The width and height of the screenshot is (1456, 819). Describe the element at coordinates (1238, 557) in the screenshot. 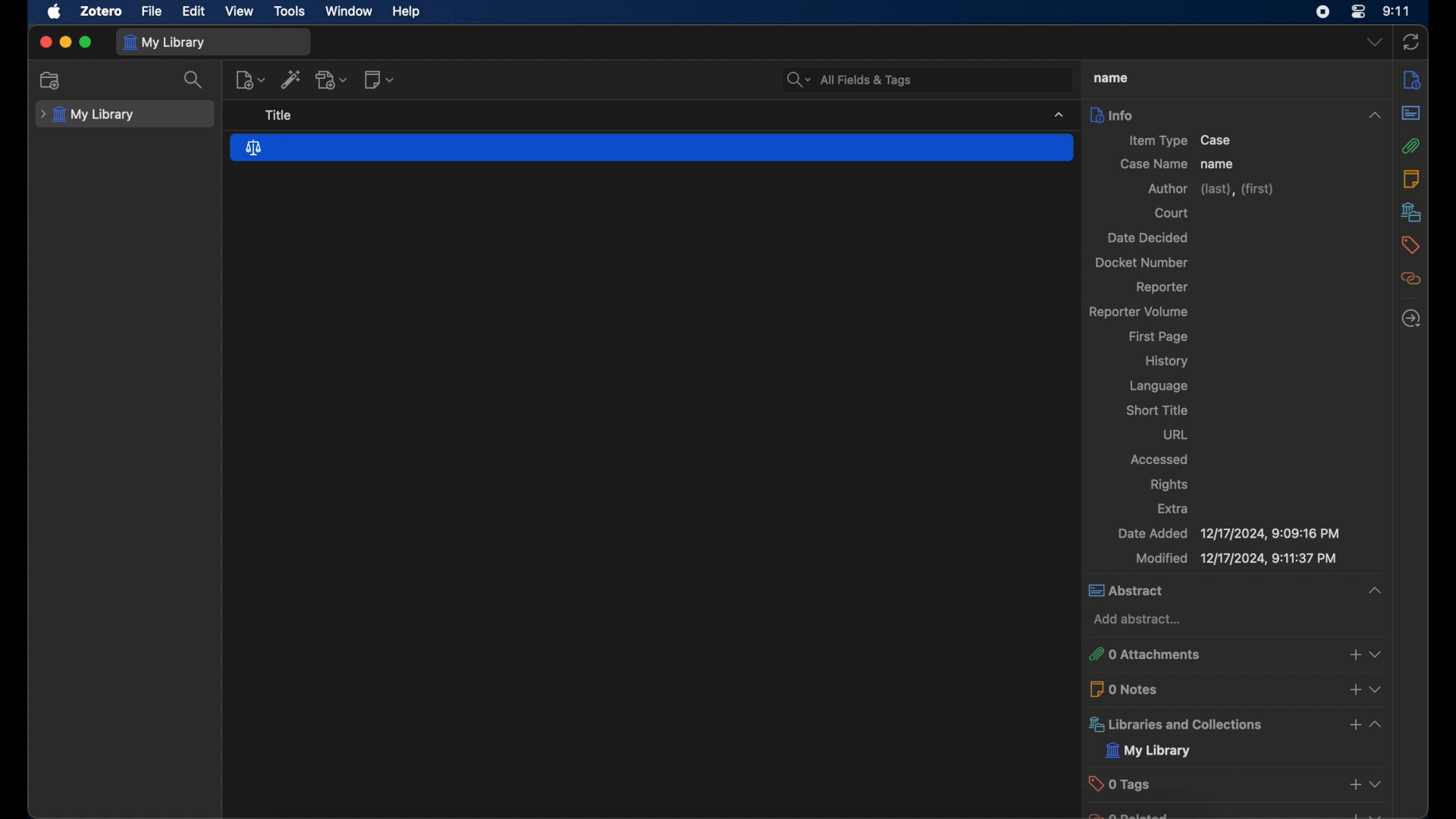

I see `modified` at that location.